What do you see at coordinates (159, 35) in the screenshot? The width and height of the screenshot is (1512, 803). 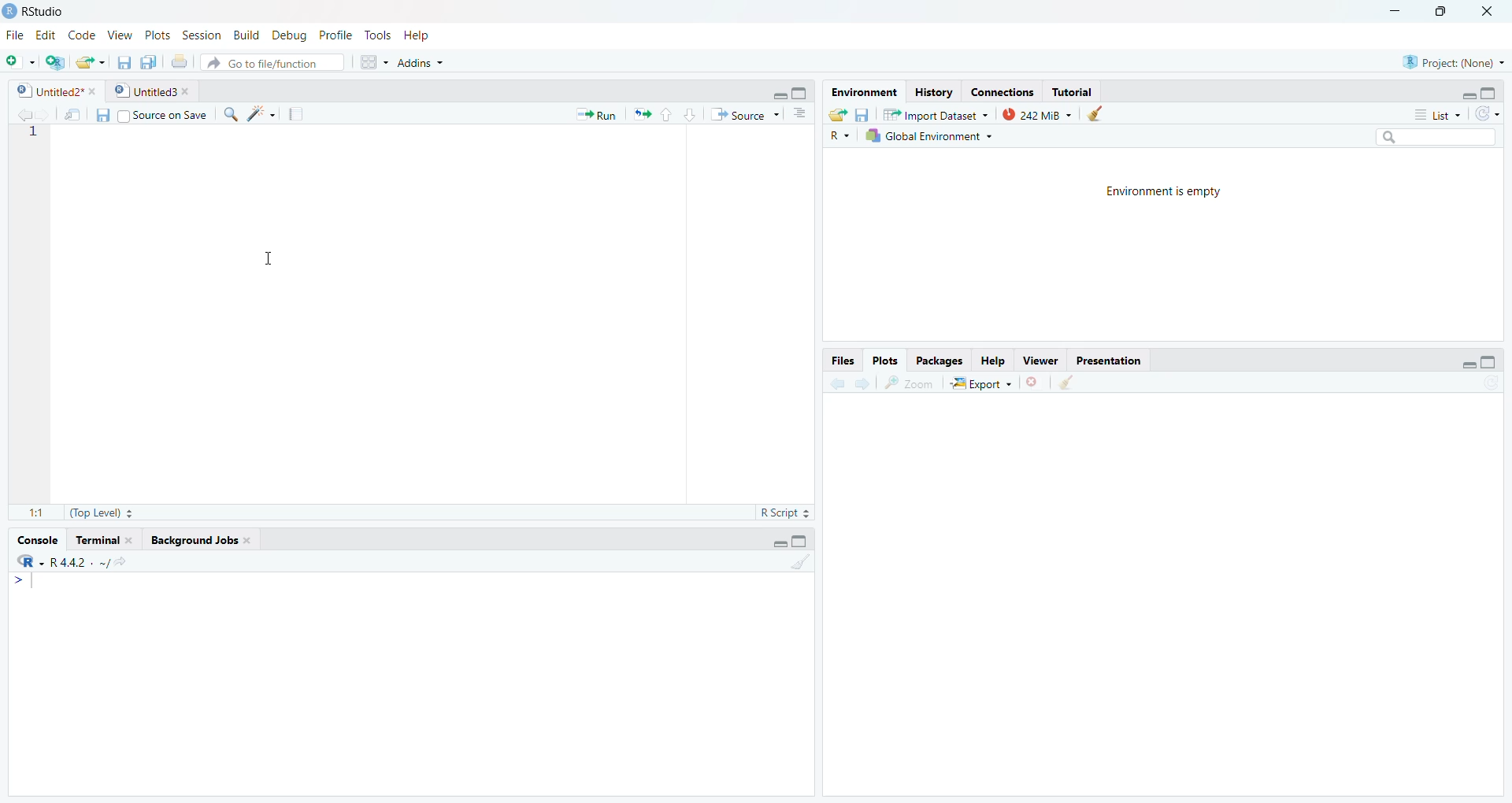 I see `Plots` at bounding box center [159, 35].